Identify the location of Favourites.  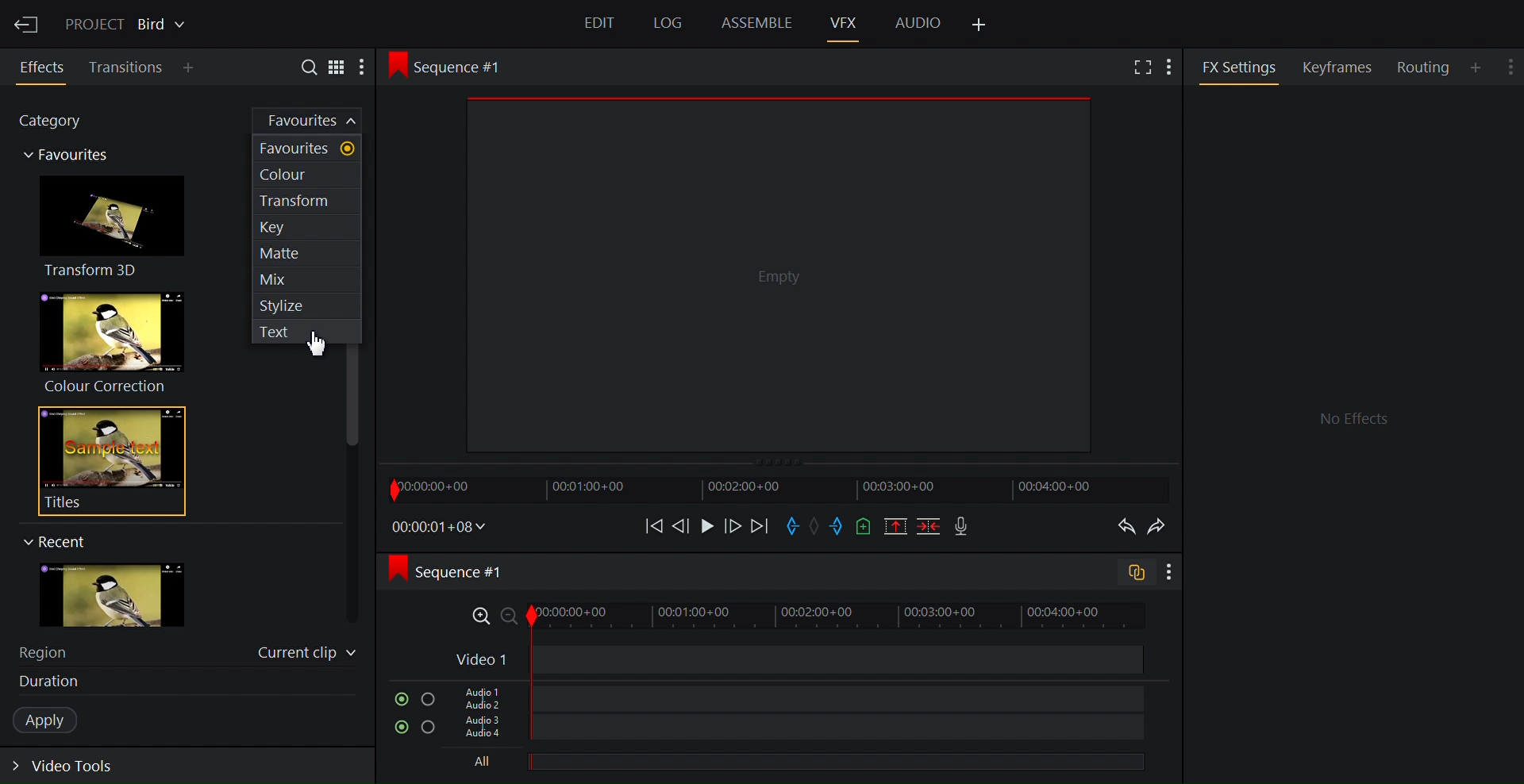
(306, 149).